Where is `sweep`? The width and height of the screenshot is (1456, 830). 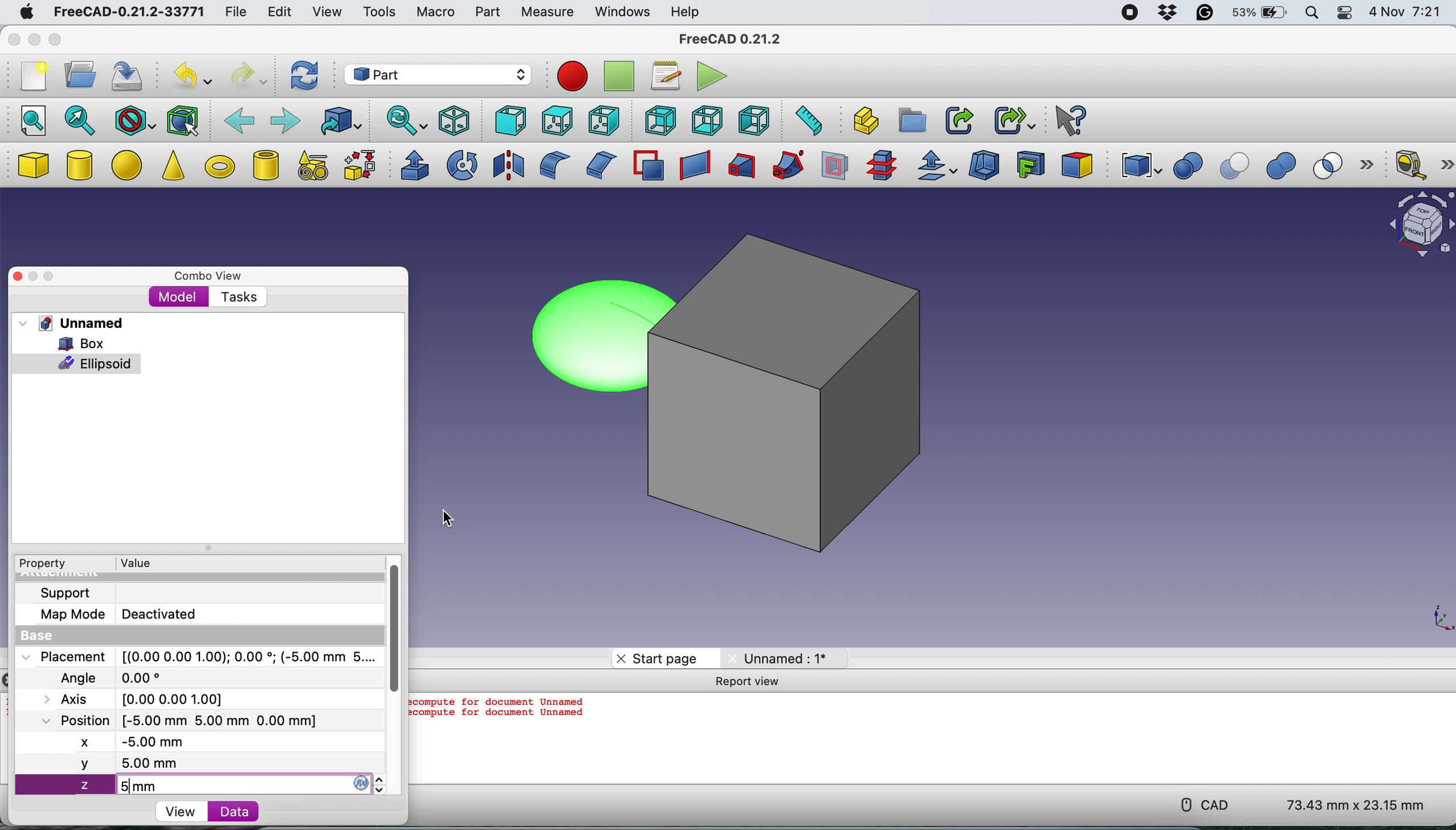
sweep is located at coordinates (784, 166).